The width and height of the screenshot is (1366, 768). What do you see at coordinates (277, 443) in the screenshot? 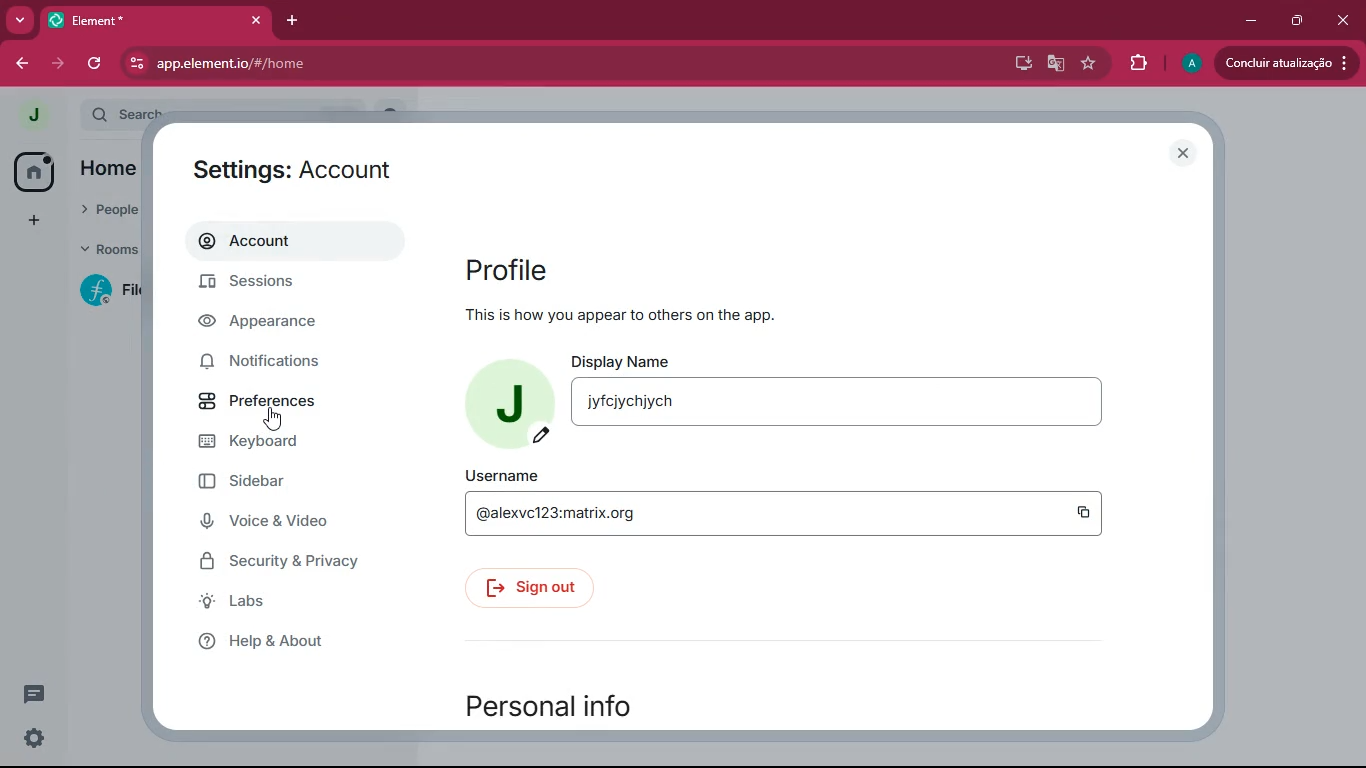
I see `keyboard` at bounding box center [277, 443].